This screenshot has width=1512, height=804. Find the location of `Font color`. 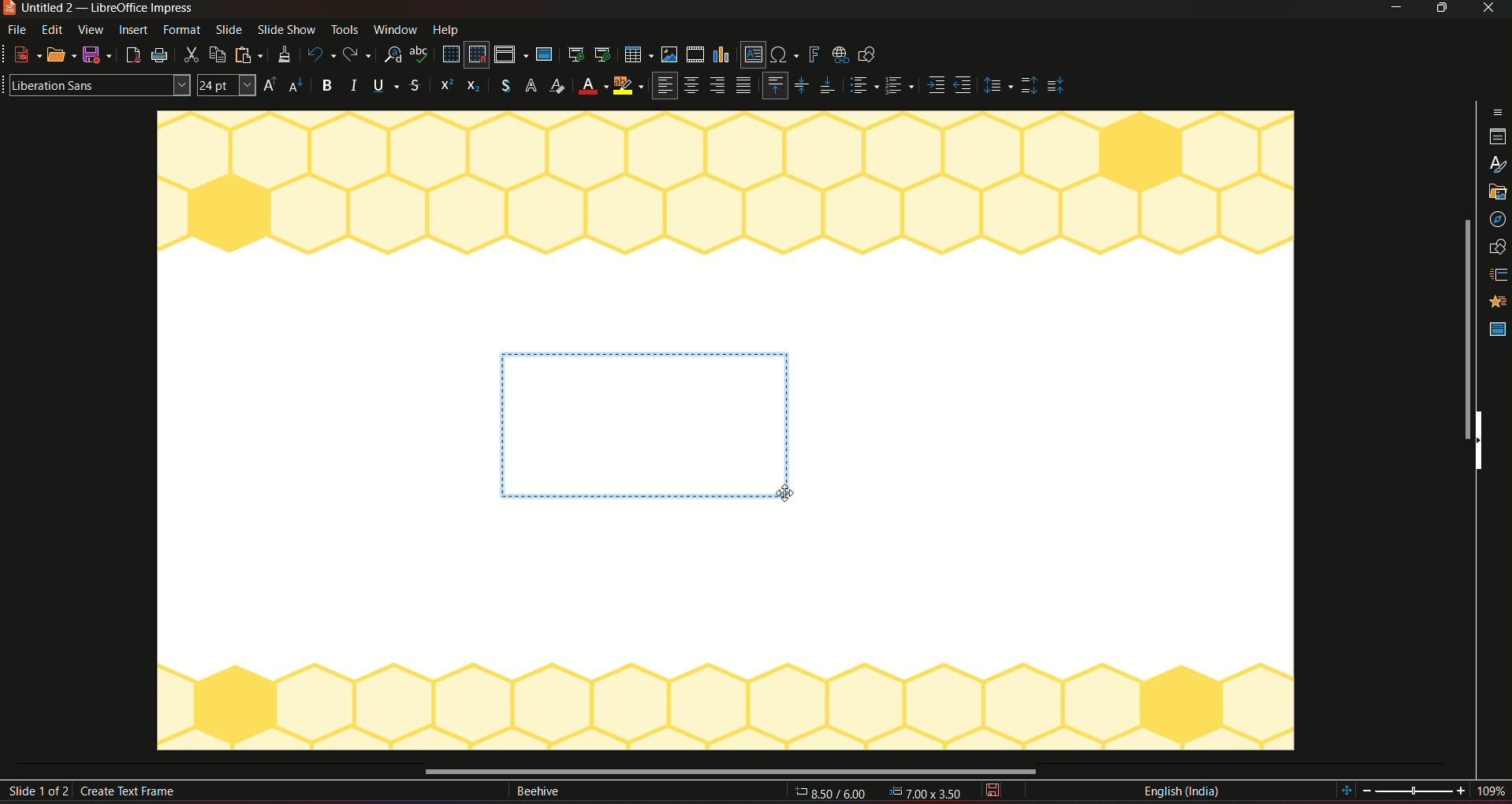

Font color is located at coordinates (557, 86).